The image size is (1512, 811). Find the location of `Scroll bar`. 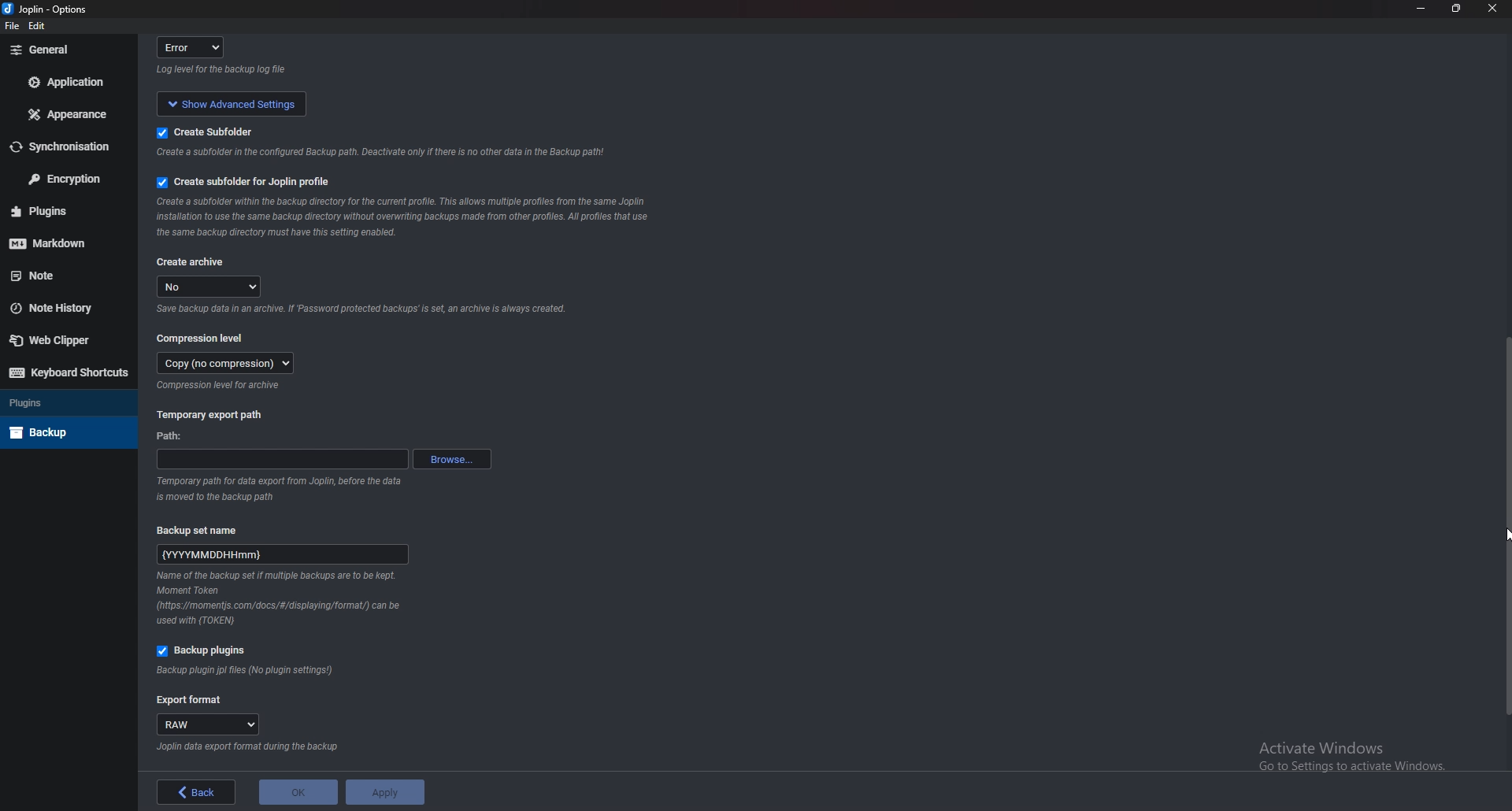

Scroll bar is located at coordinates (1503, 525).